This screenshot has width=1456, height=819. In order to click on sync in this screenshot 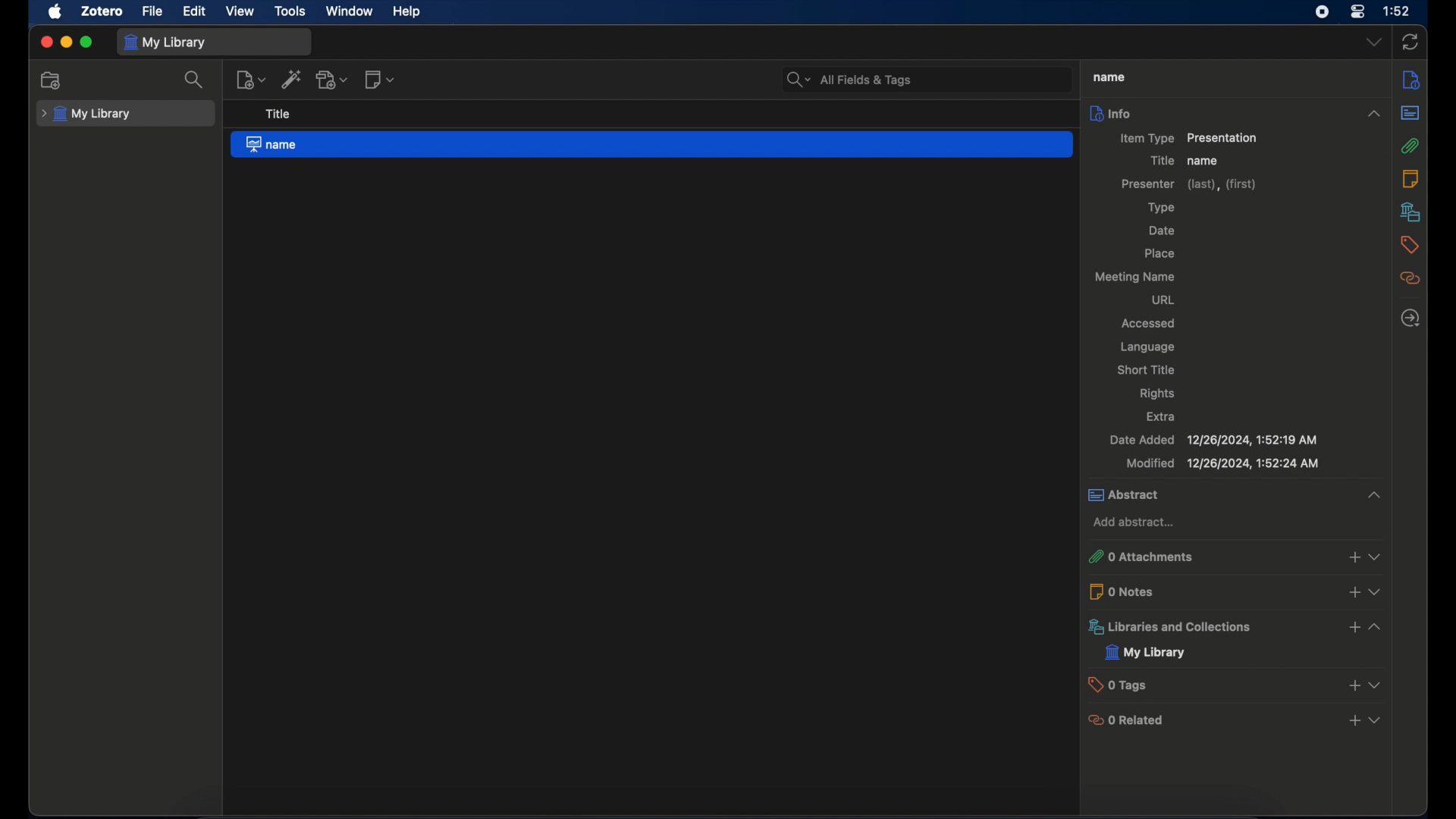, I will do `click(1410, 43)`.